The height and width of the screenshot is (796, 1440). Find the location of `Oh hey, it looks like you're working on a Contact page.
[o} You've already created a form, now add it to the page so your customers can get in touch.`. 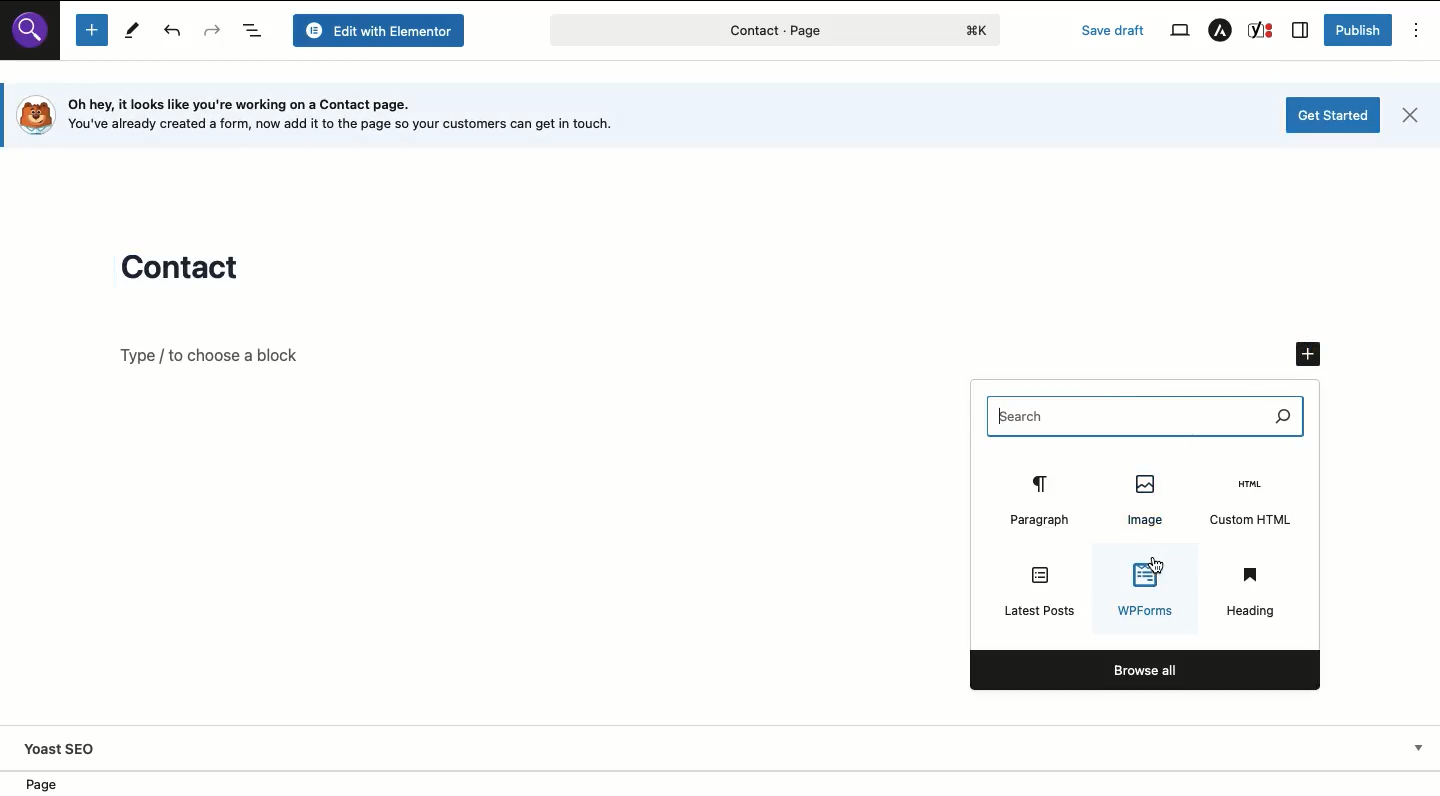

Oh hey, it looks like you're working on a Contact page.
[o} You've already created a form, now add it to the page so your customers can get in touch. is located at coordinates (352, 114).